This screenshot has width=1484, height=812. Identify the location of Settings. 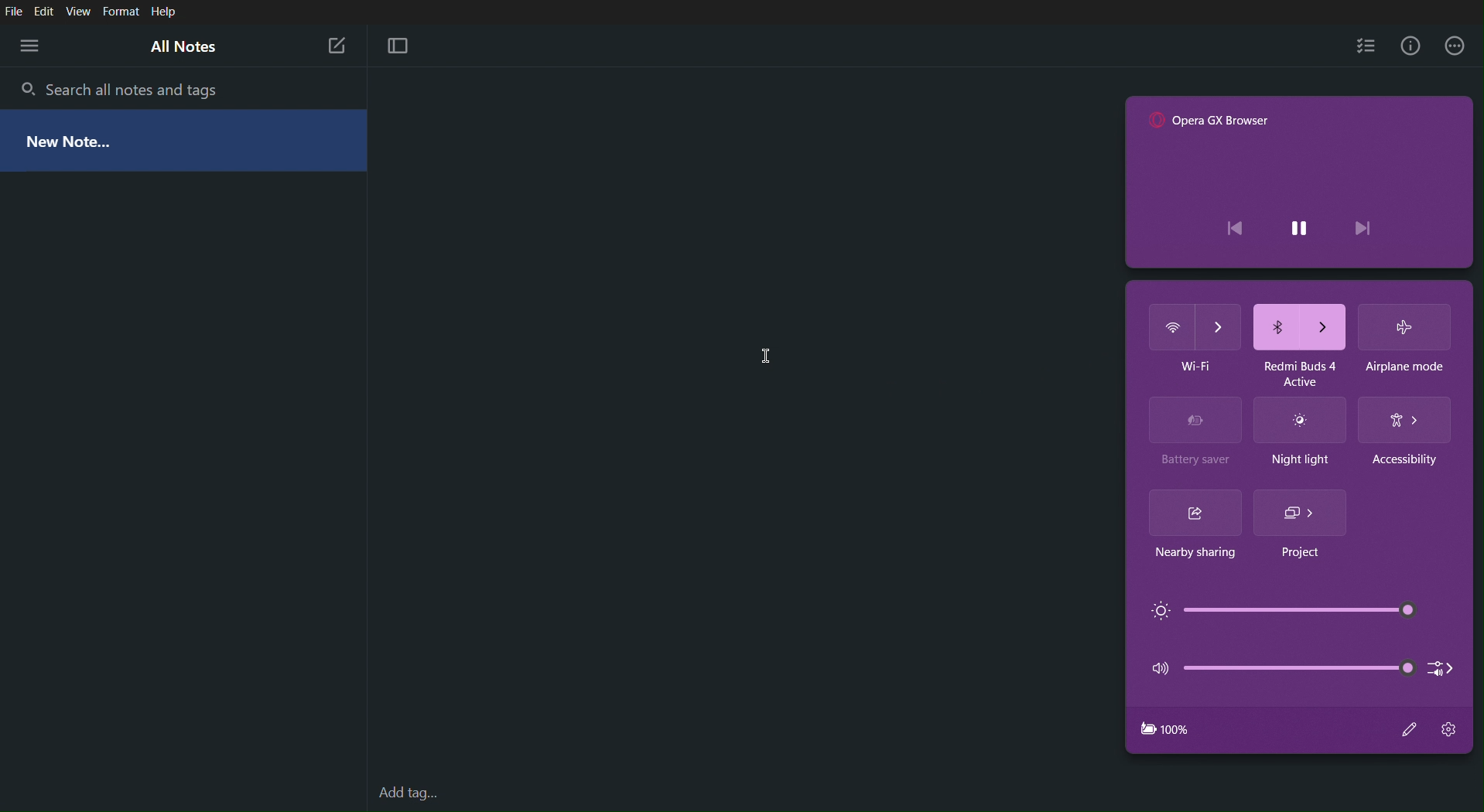
(1452, 730).